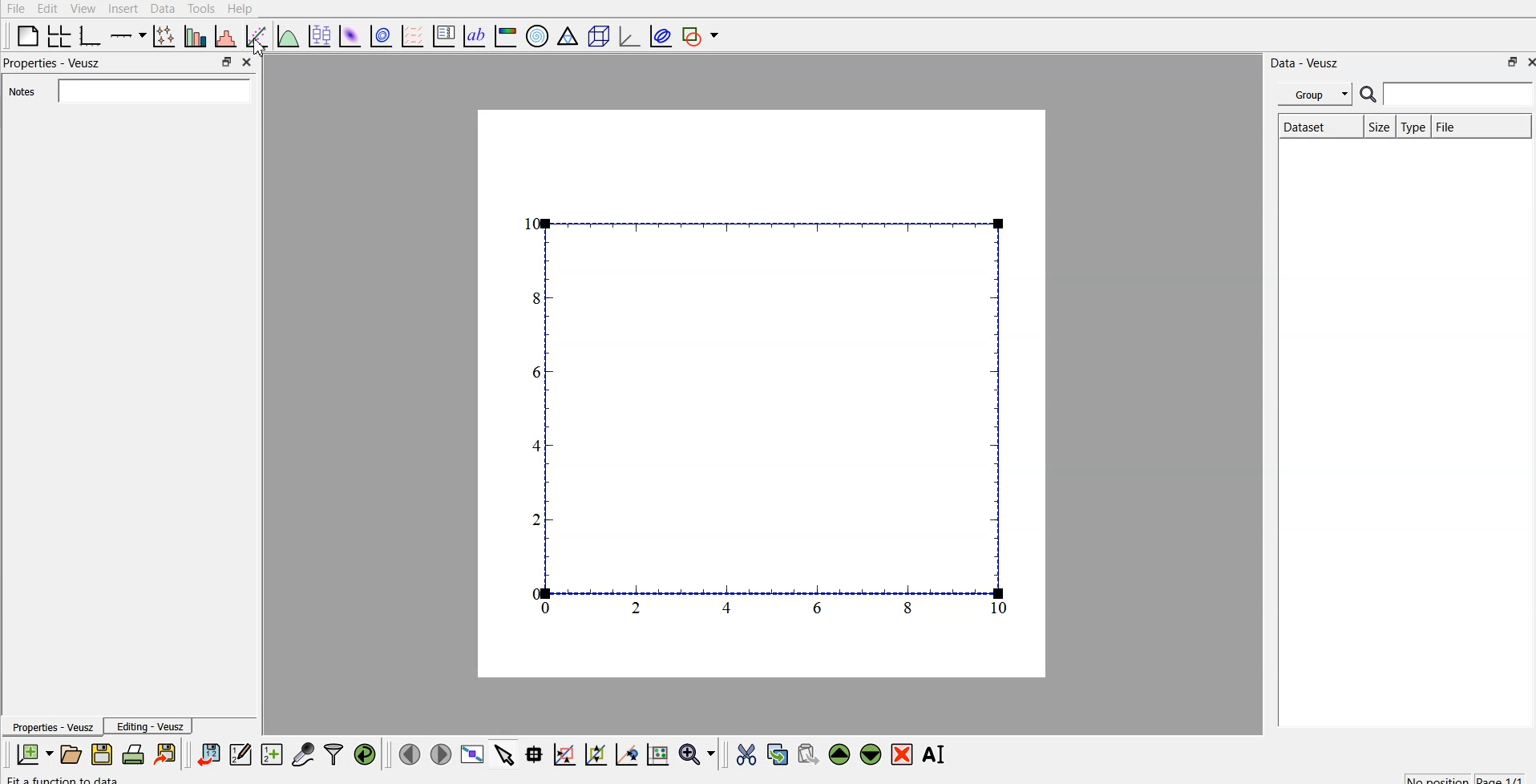 The width and height of the screenshot is (1536, 784). I want to click on 3d scene, so click(599, 38).